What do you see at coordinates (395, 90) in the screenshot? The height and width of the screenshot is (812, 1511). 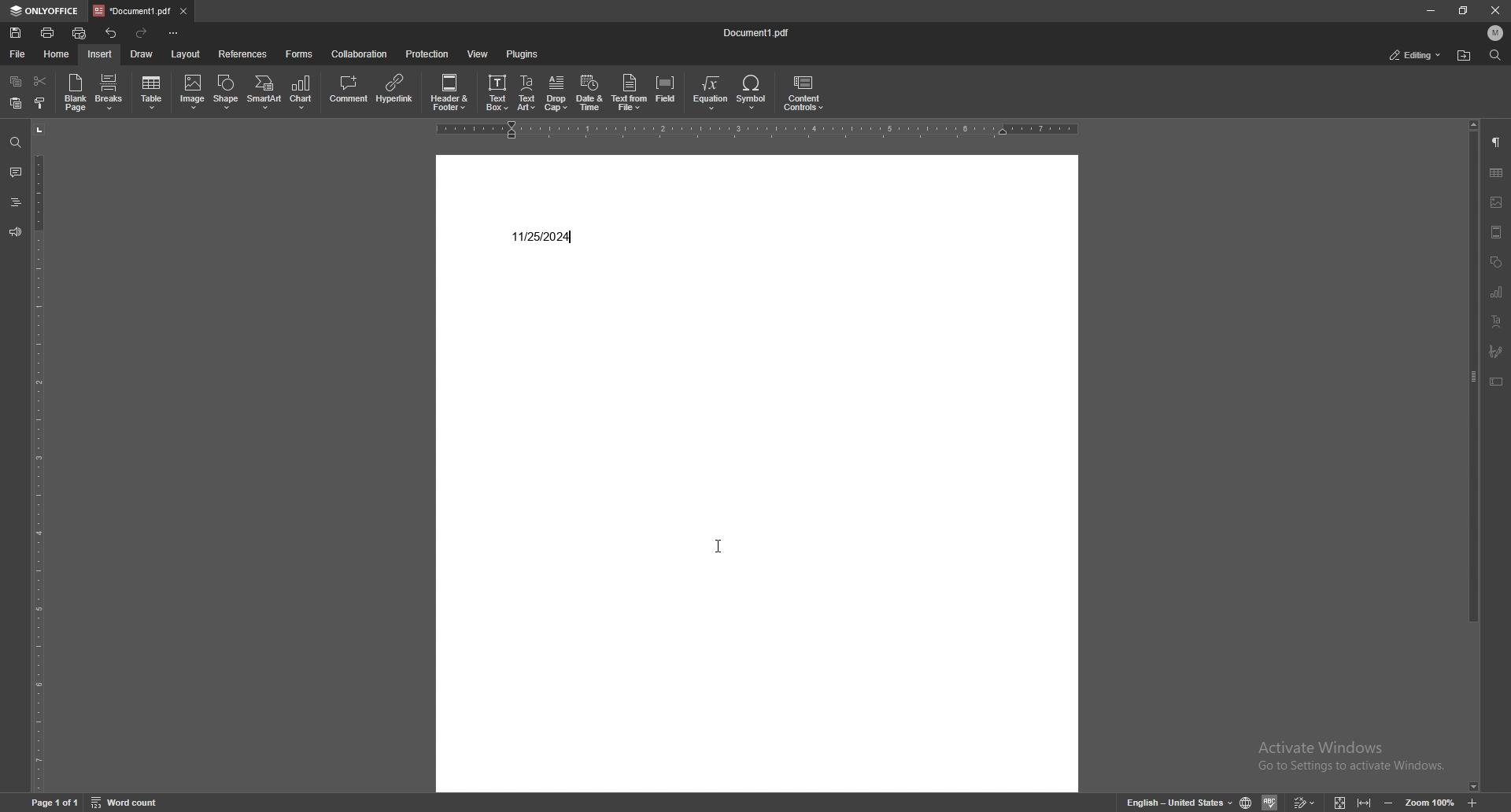 I see `hyperlink` at bounding box center [395, 90].